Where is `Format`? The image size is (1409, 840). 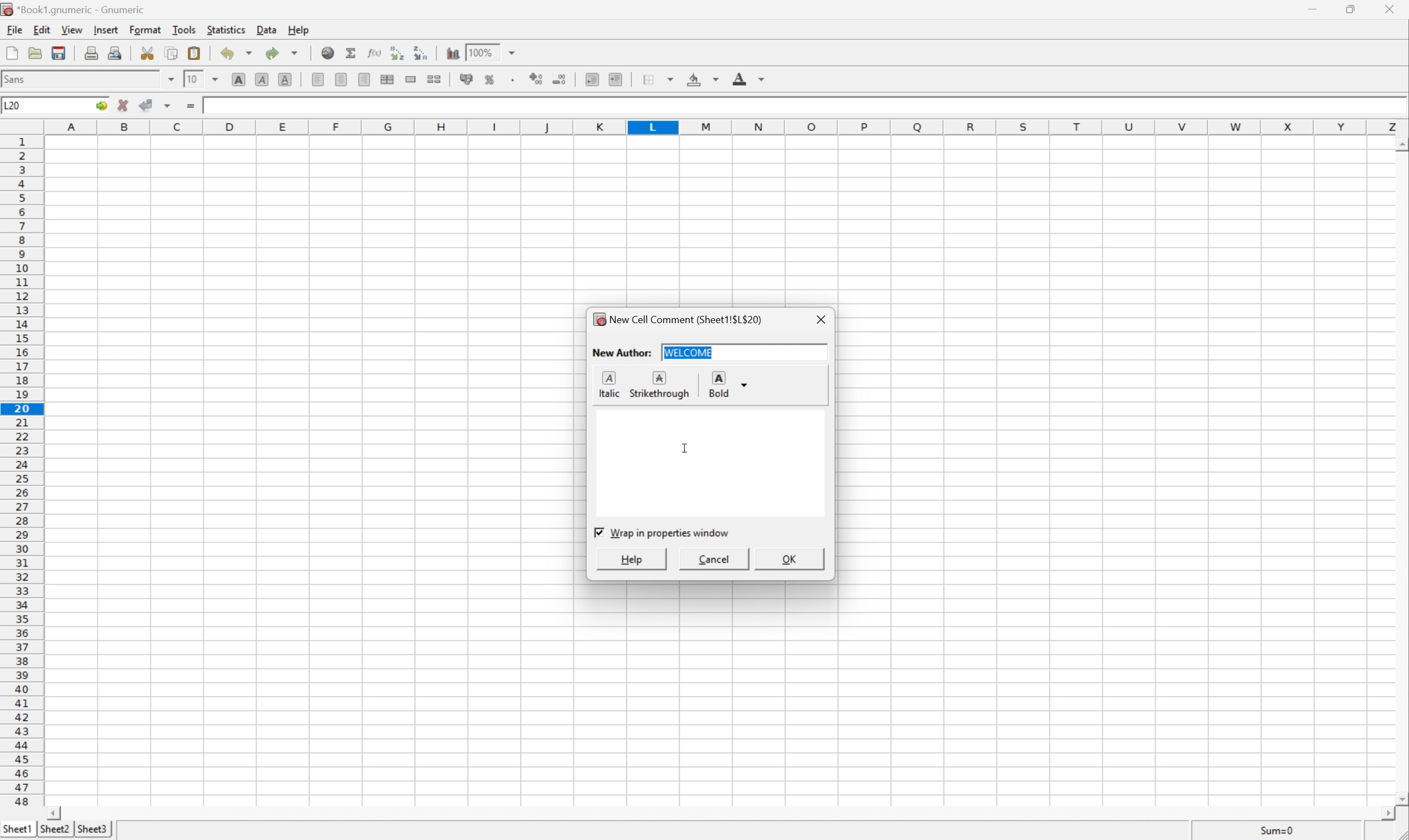 Format is located at coordinates (144, 29).